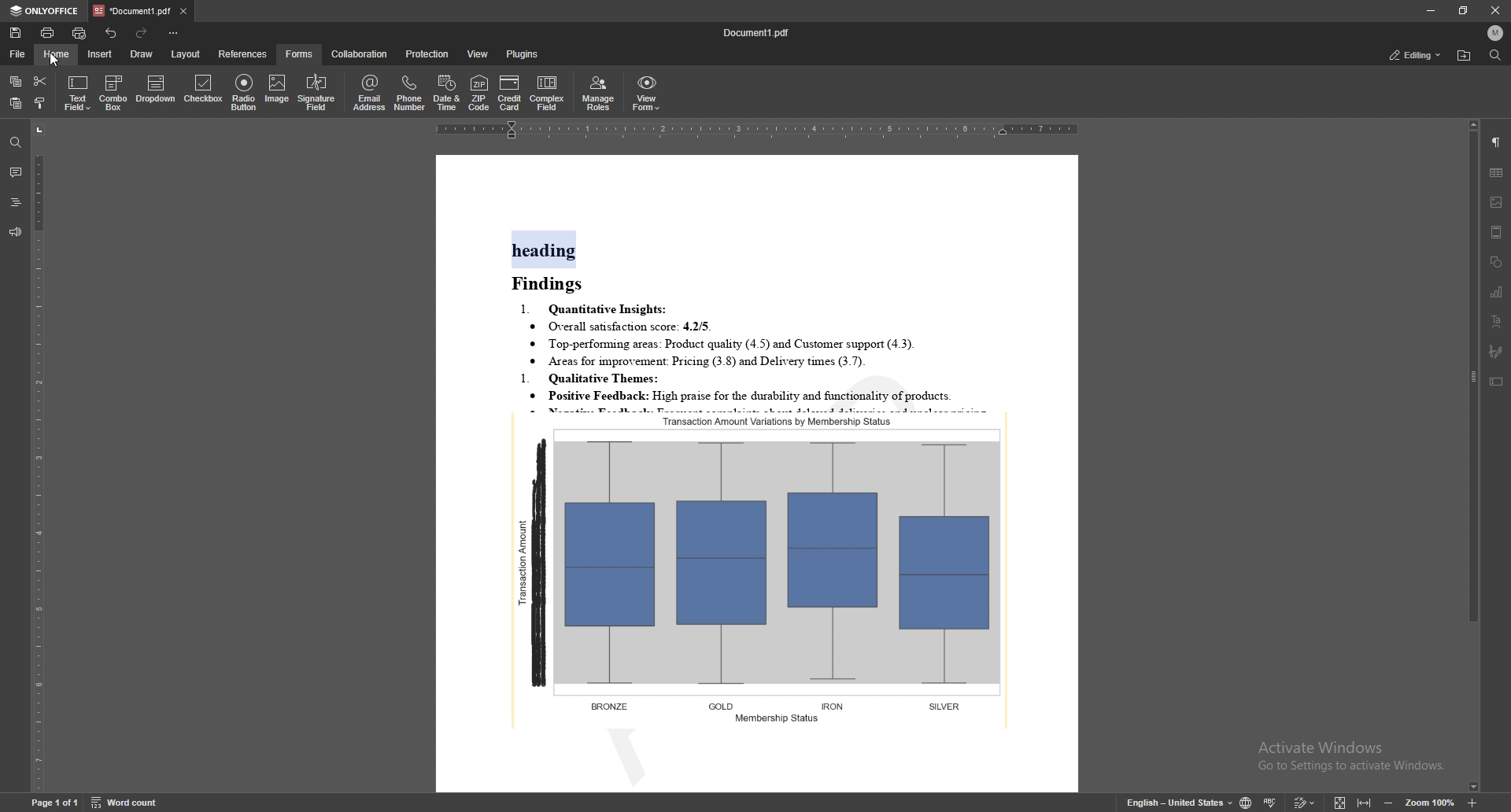 This screenshot has width=1511, height=812. What do you see at coordinates (183, 13) in the screenshot?
I see `close tab` at bounding box center [183, 13].